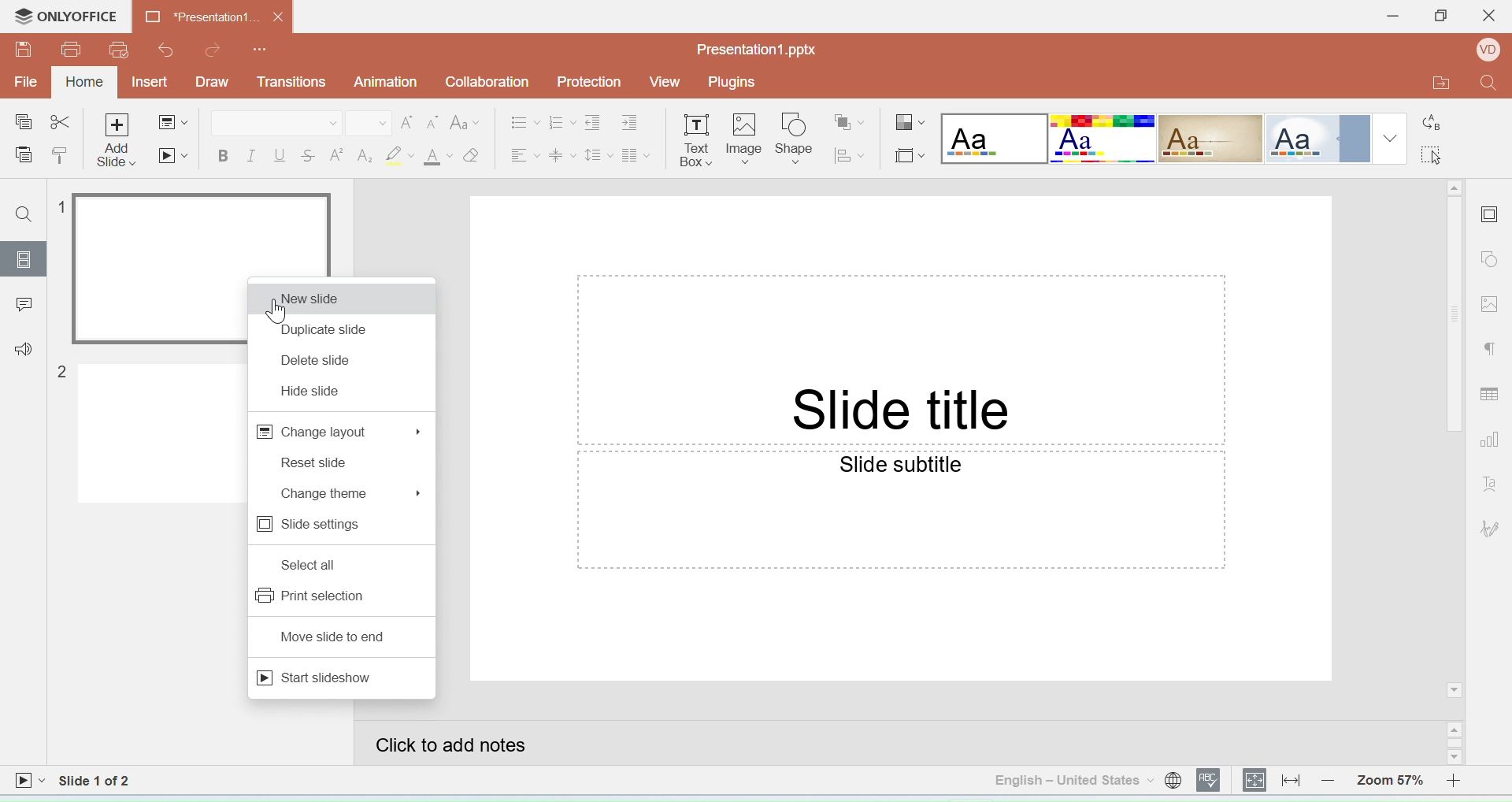 The image size is (1512, 802). I want to click on Cut, so click(61, 124).